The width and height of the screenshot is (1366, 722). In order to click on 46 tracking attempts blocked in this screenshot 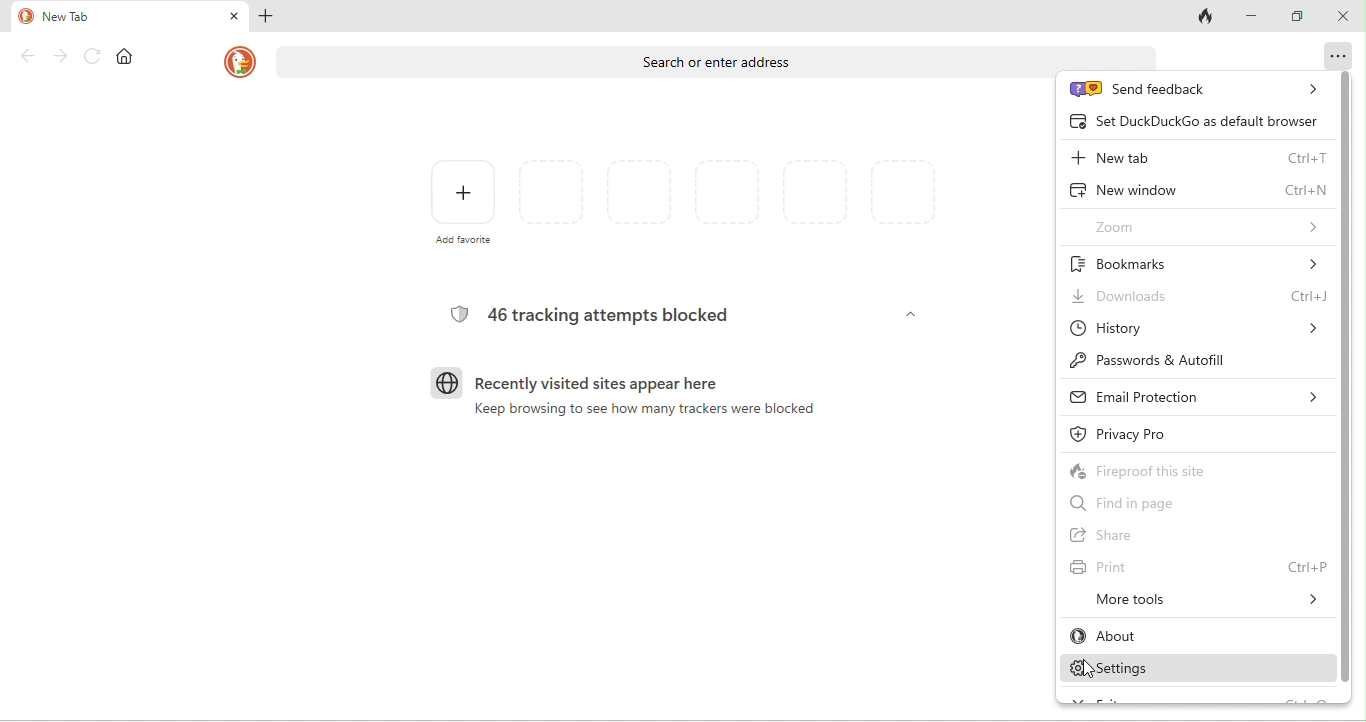, I will do `click(594, 315)`.